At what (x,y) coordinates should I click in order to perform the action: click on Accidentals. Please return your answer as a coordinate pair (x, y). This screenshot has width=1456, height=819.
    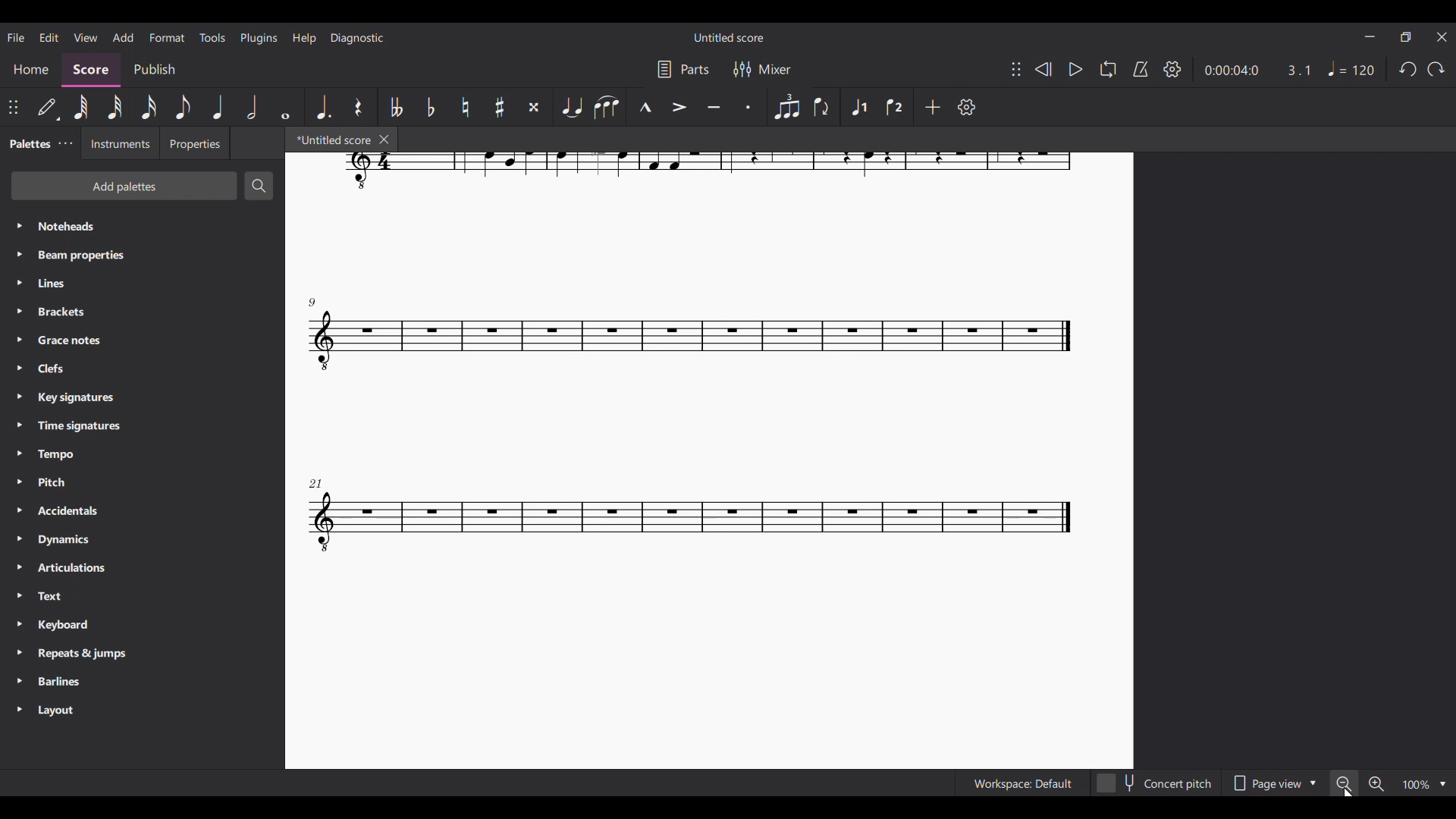
    Looking at the image, I should click on (142, 510).